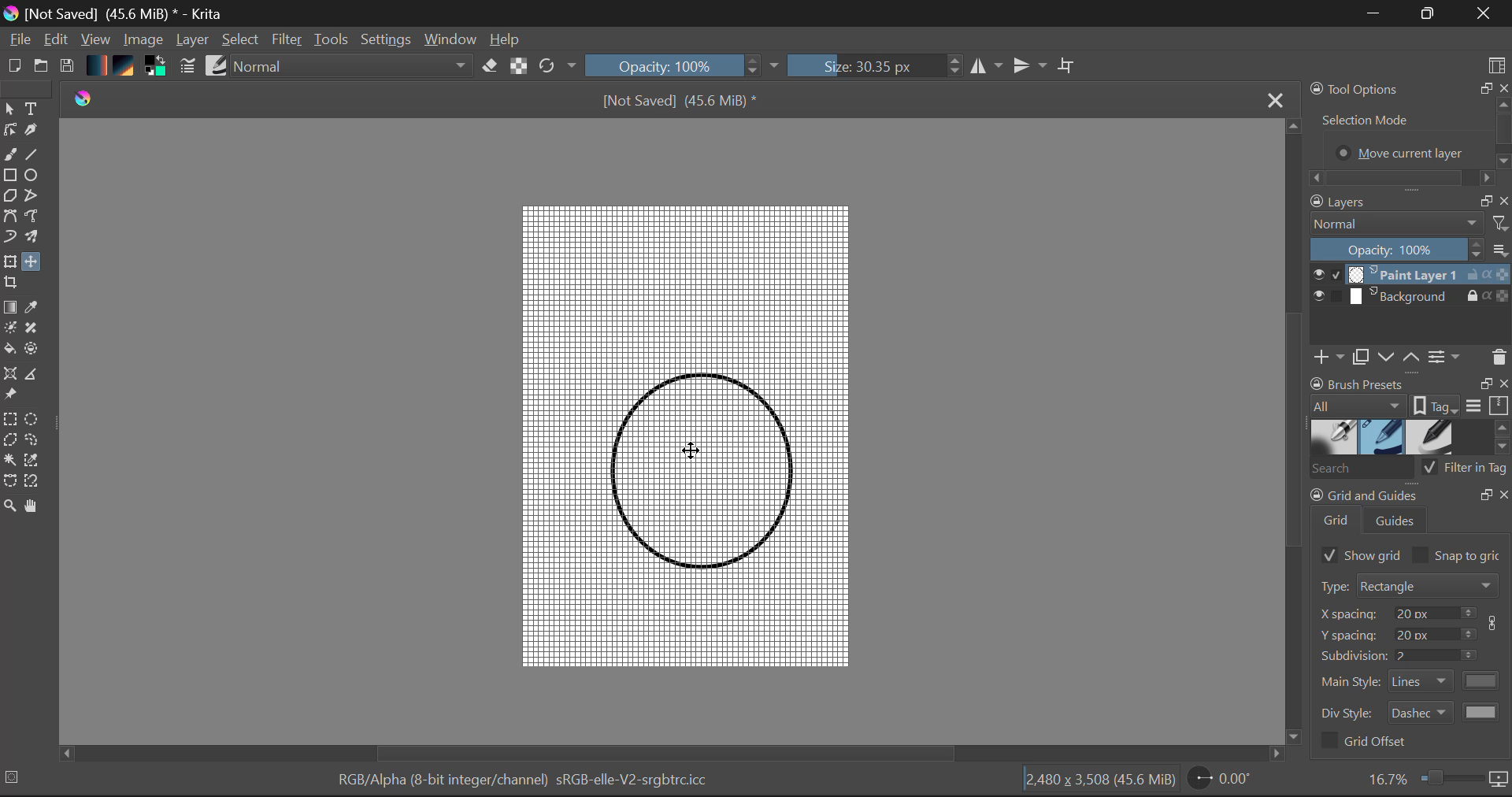  What do you see at coordinates (216, 67) in the screenshot?
I see `Brush Presets` at bounding box center [216, 67].